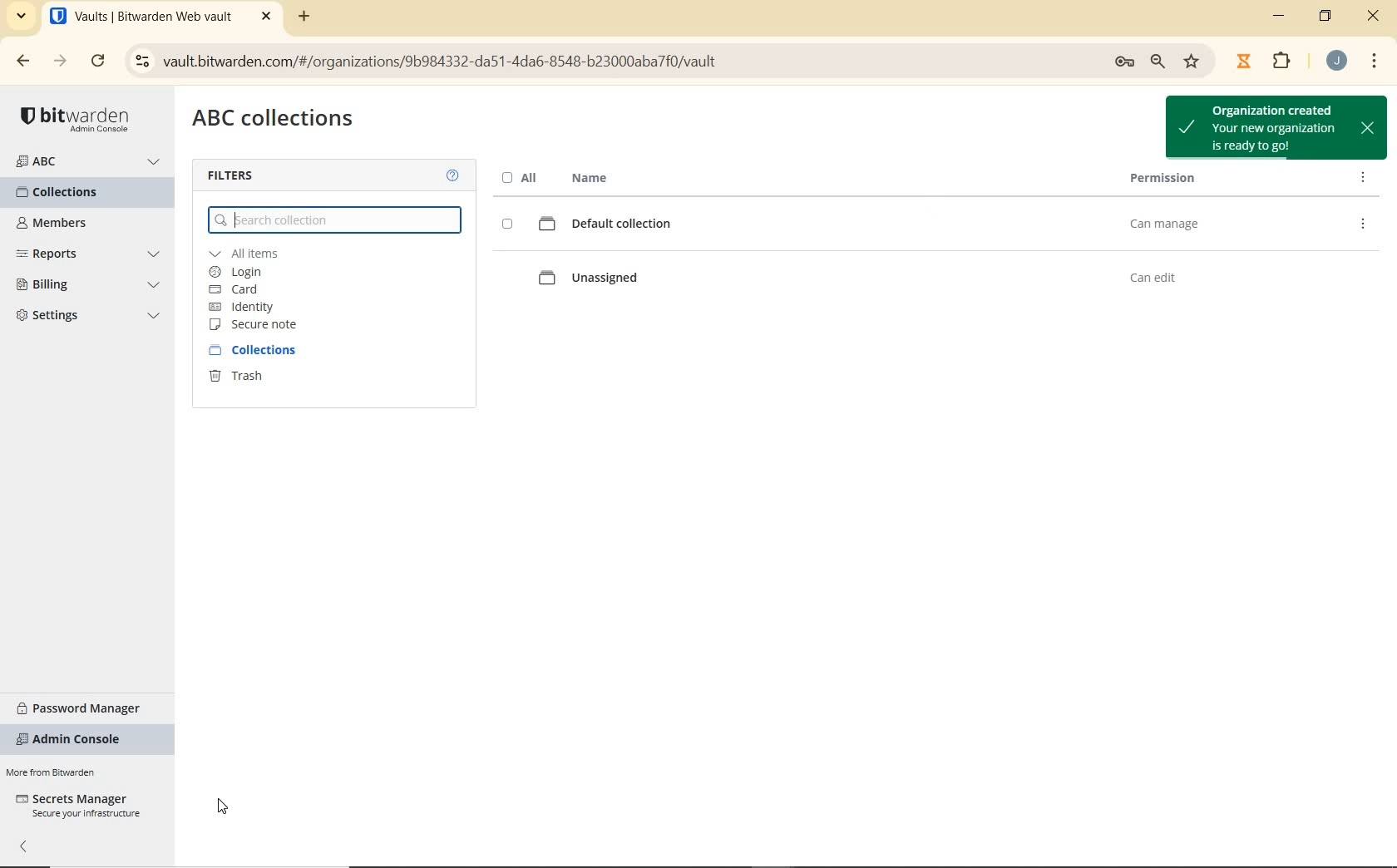 The width and height of the screenshot is (1397, 868). What do you see at coordinates (236, 274) in the screenshot?
I see `login` at bounding box center [236, 274].